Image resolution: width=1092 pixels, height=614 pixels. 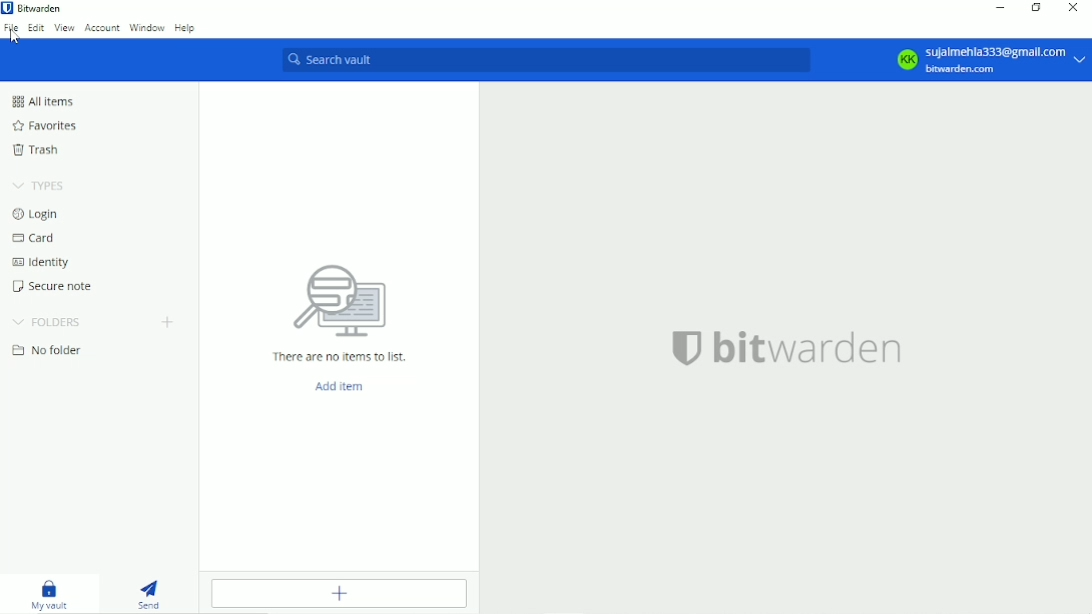 What do you see at coordinates (35, 239) in the screenshot?
I see `Card` at bounding box center [35, 239].